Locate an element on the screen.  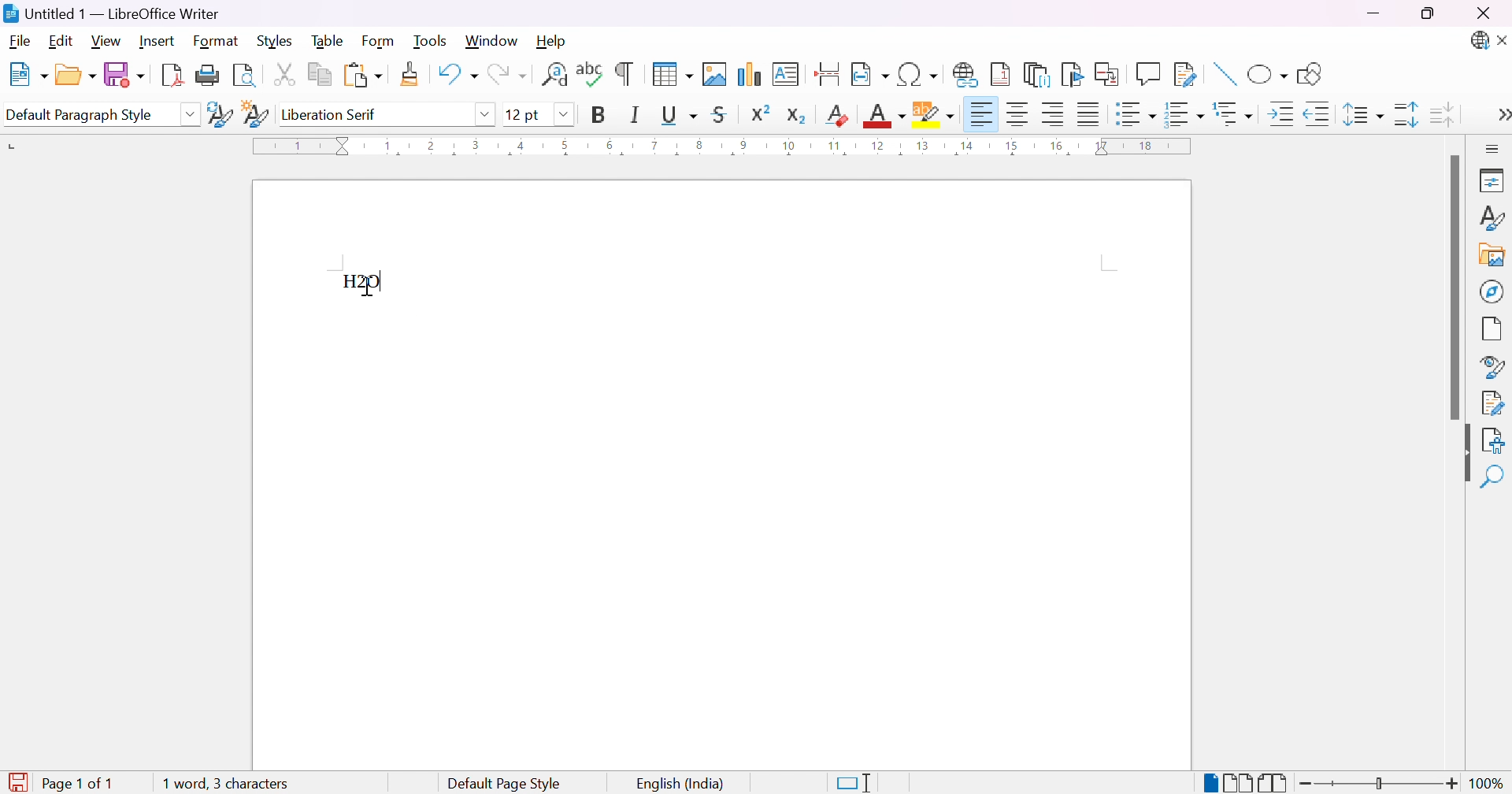
Redo is located at coordinates (506, 78).